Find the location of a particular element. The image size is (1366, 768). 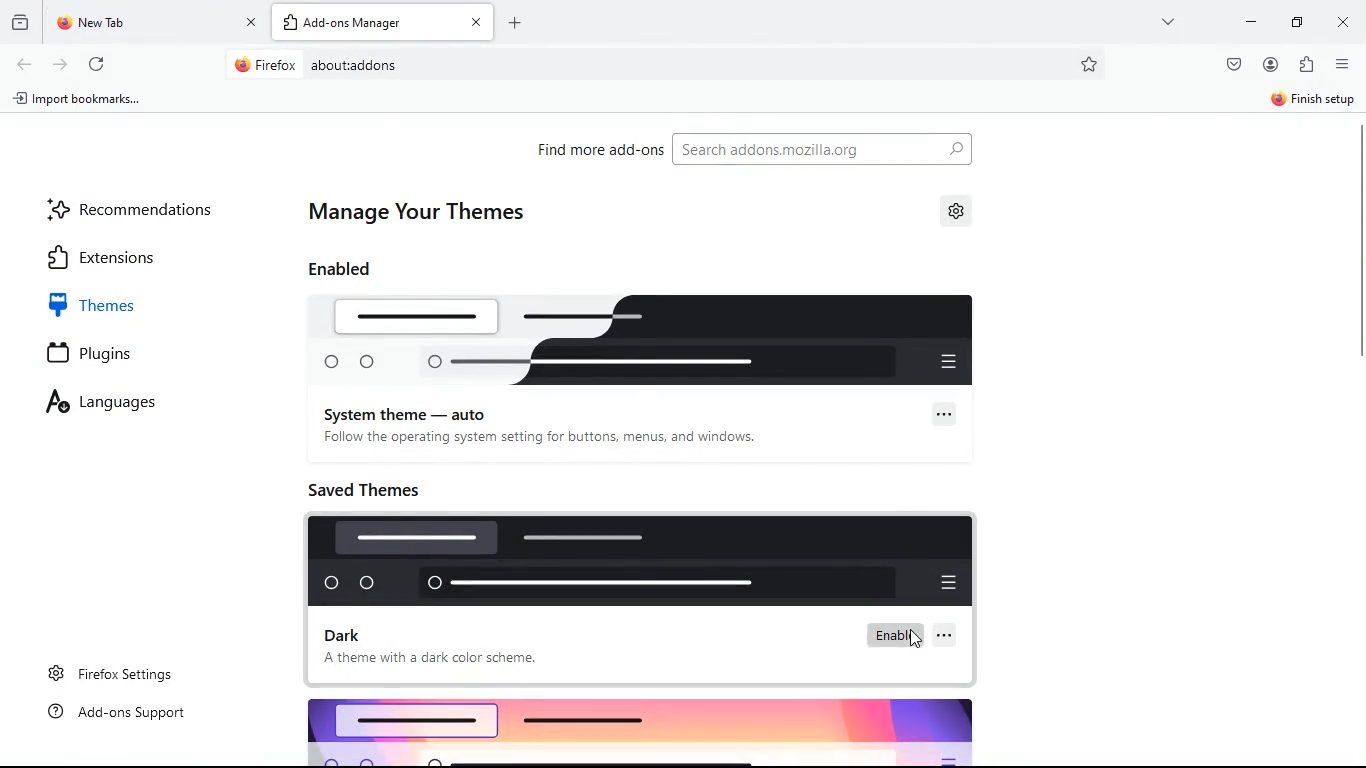

extensions is located at coordinates (129, 256).